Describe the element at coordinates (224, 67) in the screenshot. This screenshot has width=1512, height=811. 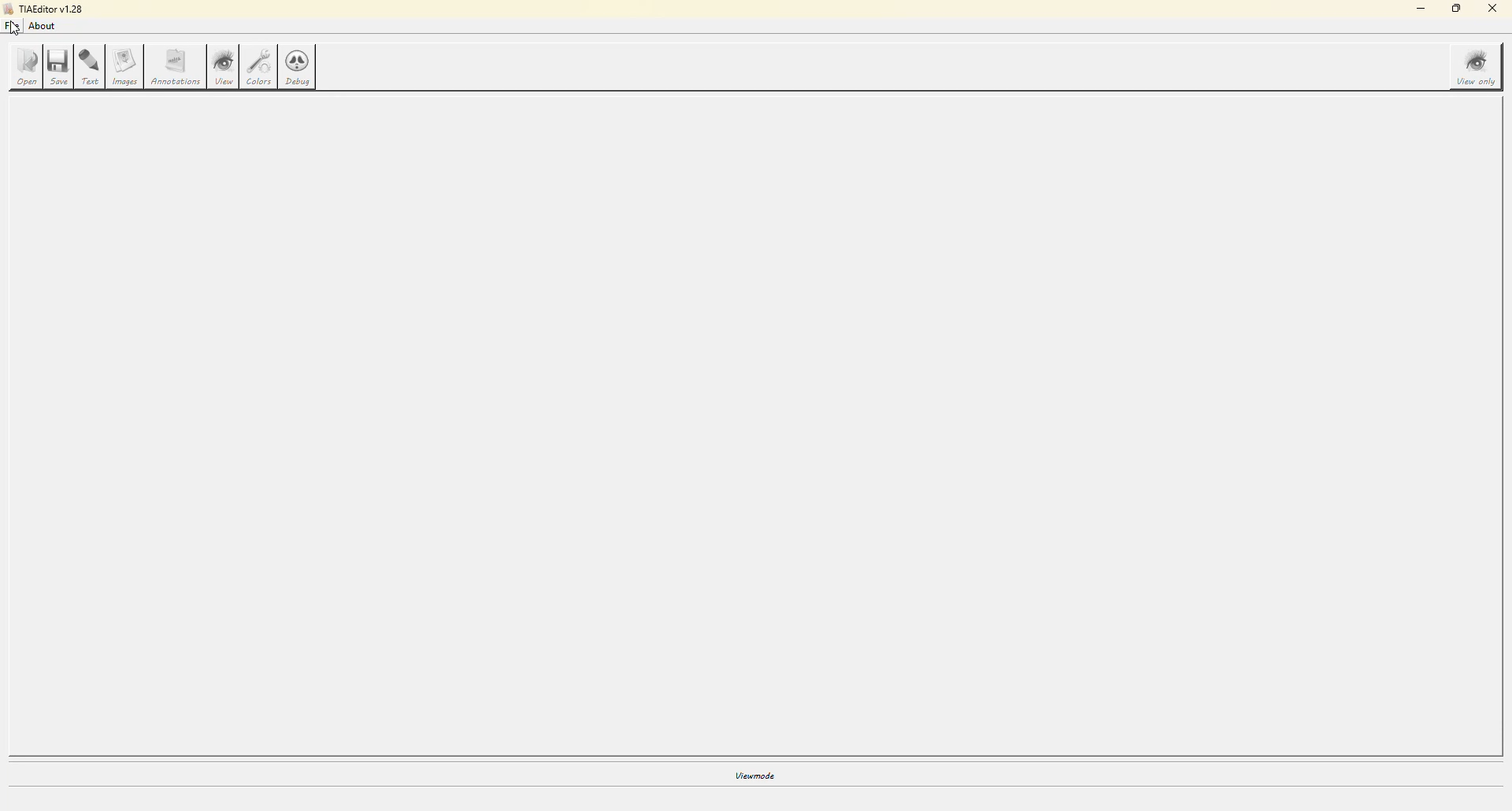
I see `view` at that location.